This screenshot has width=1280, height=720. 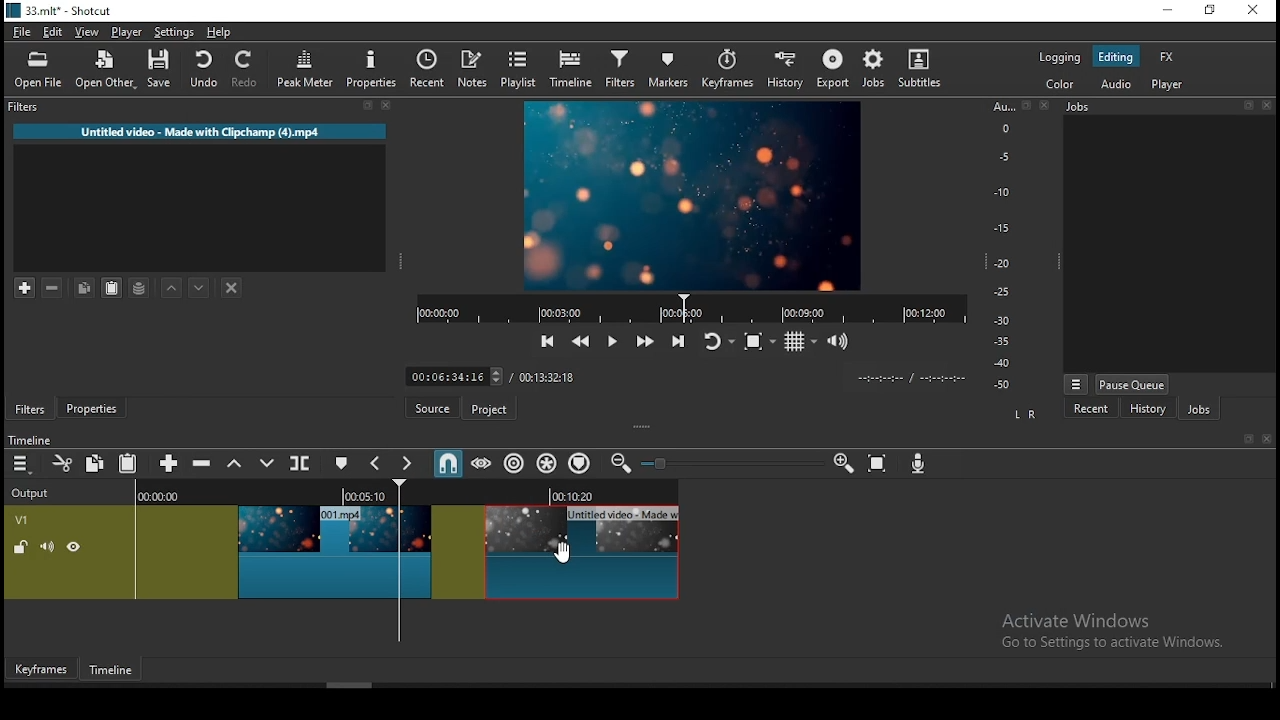 What do you see at coordinates (1043, 106) in the screenshot?
I see `` at bounding box center [1043, 106].